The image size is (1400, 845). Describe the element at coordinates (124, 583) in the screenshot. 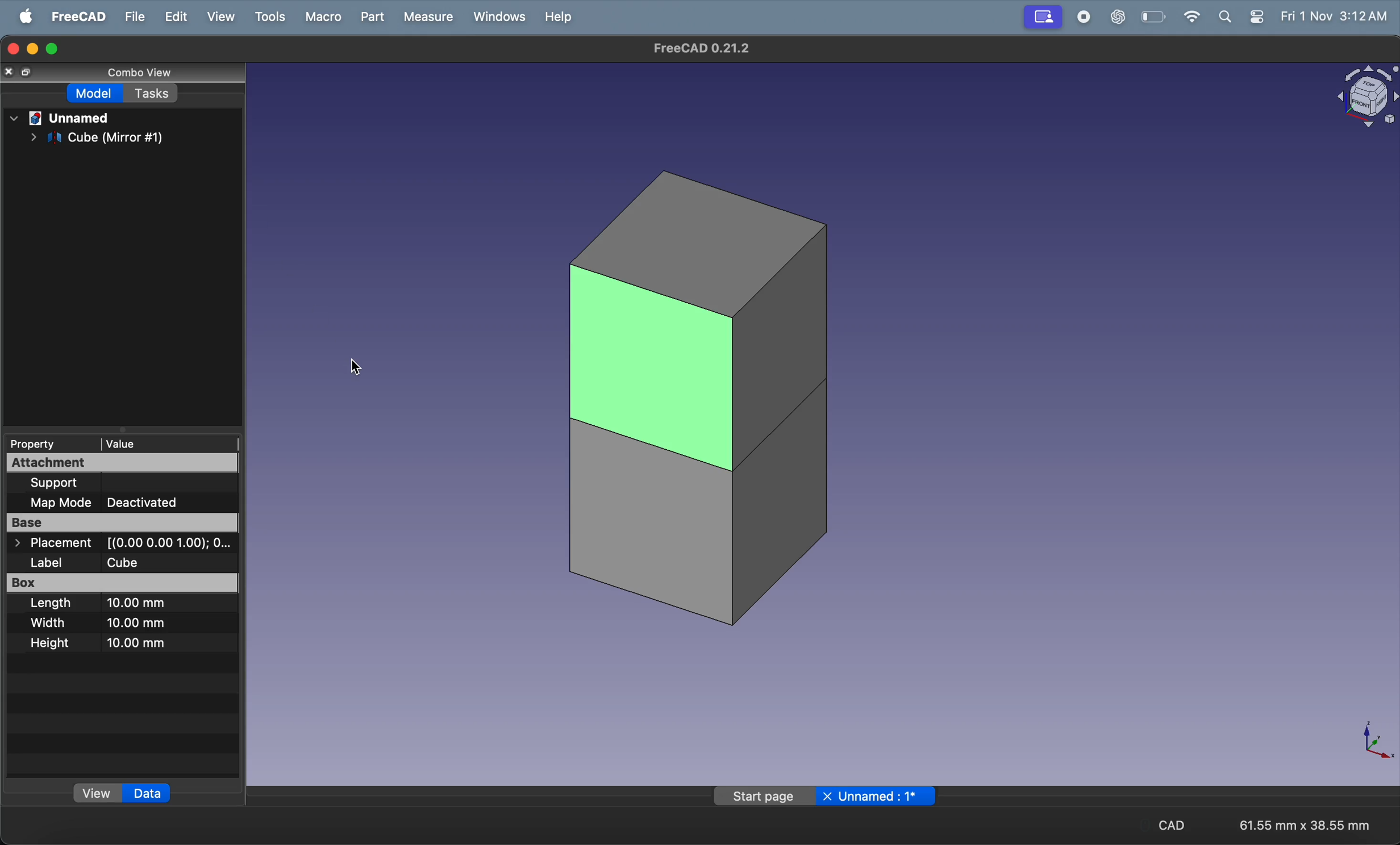

I see `Box` at that location.